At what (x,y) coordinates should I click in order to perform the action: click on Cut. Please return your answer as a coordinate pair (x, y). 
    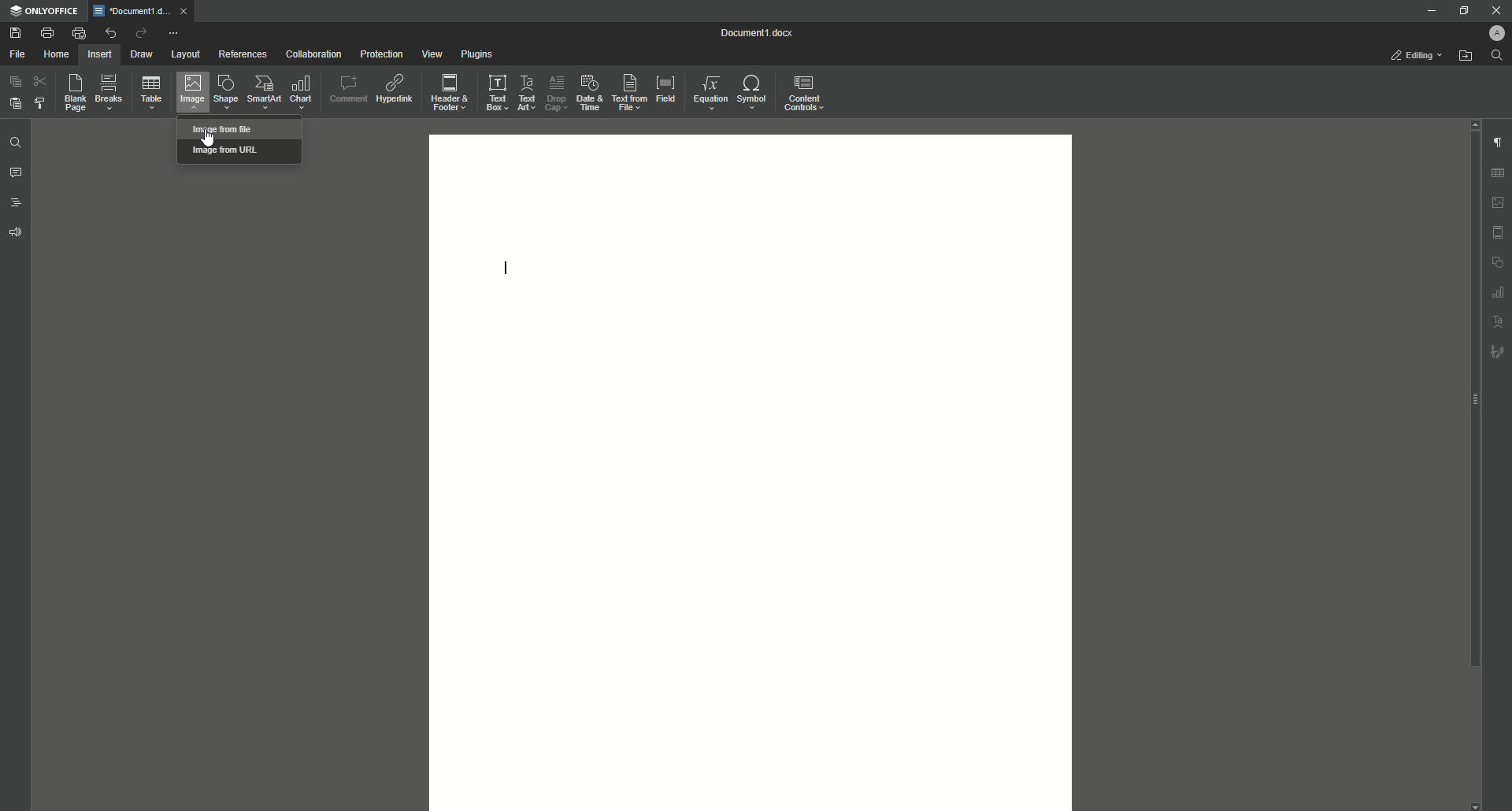
    Looking at the image, I should click on (40, 81).